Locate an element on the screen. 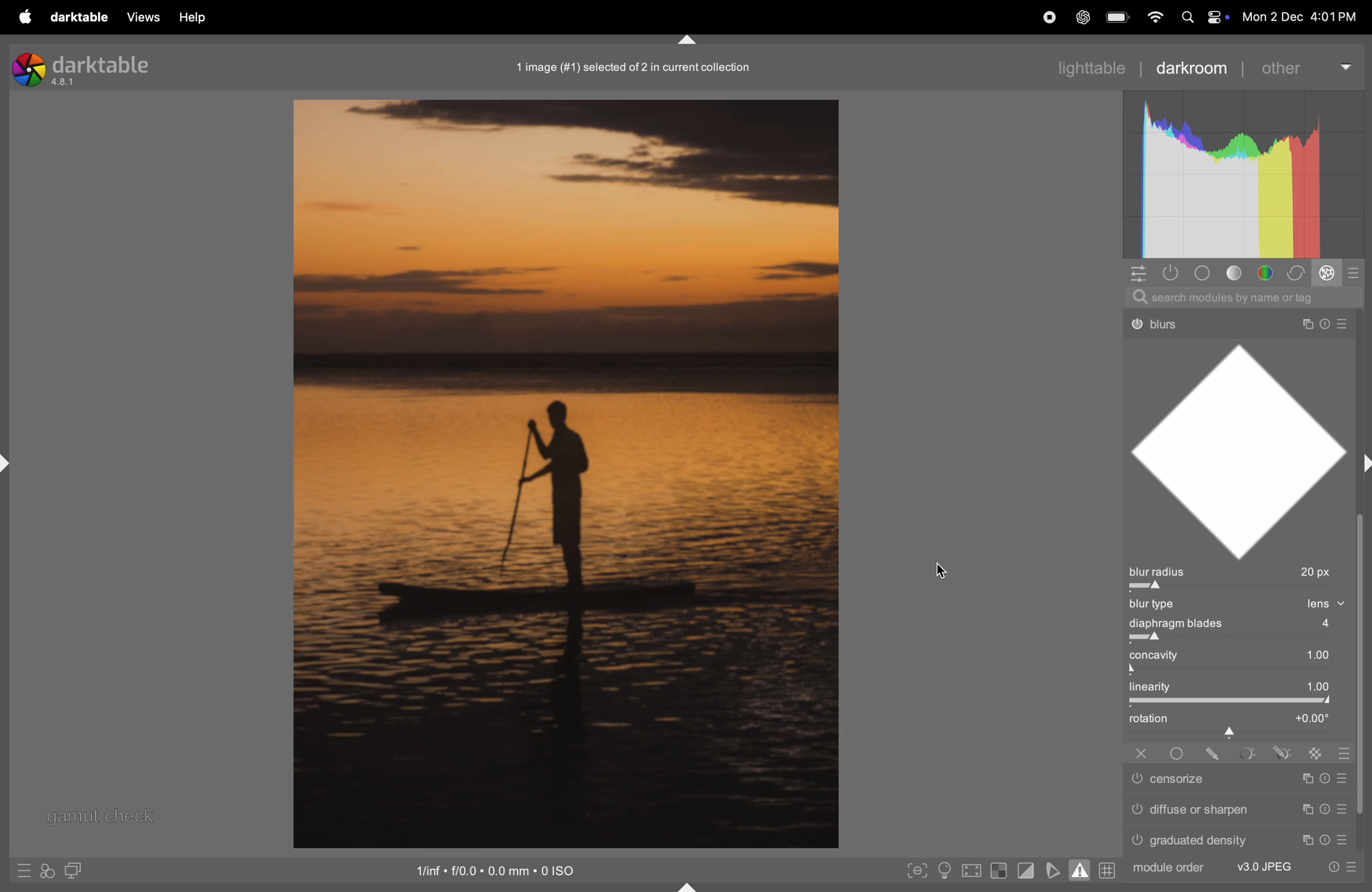 This screenshot has height=892, width=1372. date and time is located at coordinates (1301, 13).